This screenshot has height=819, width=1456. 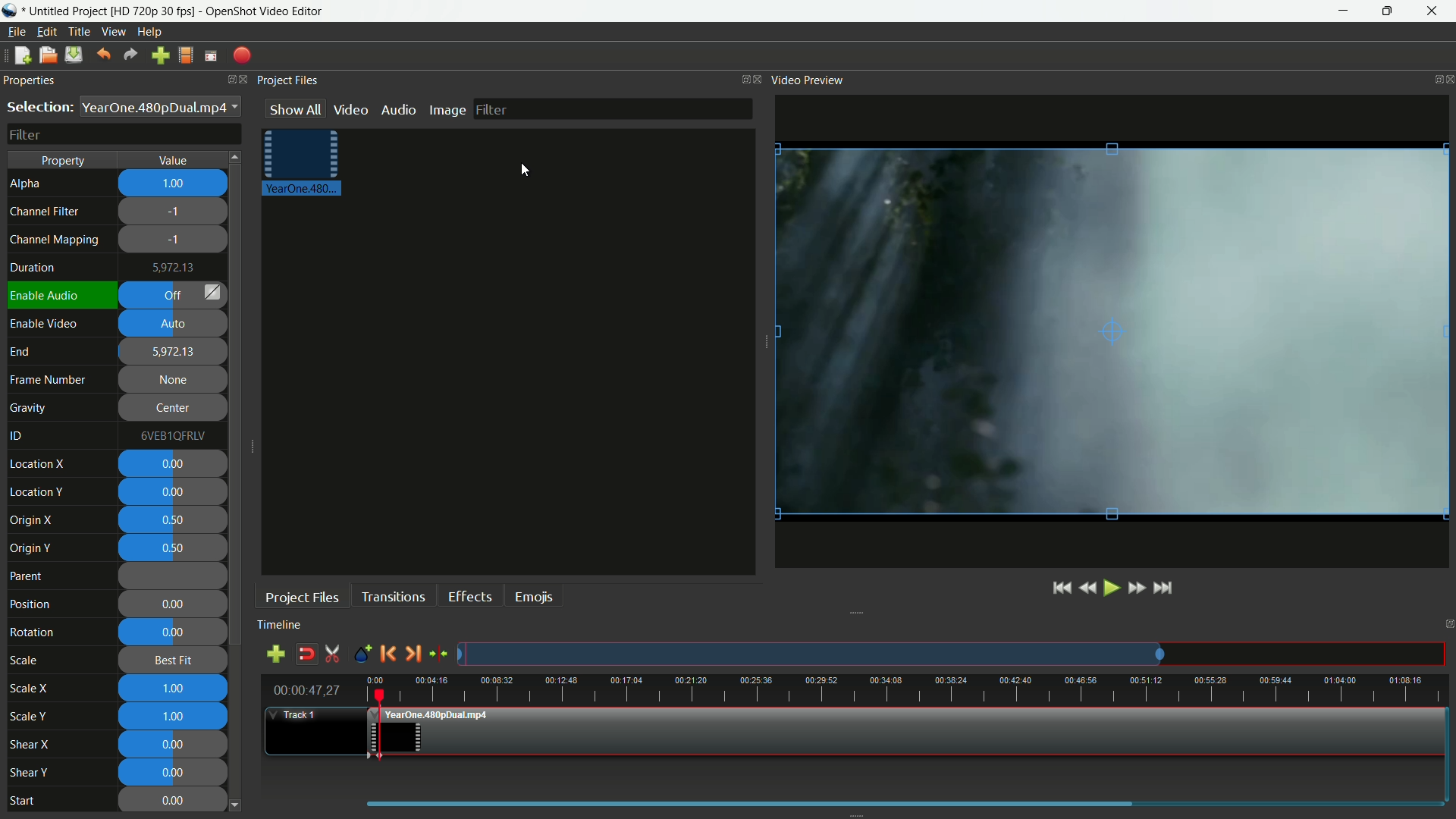 I want to click on 0.00, so click(x=172, y=633).